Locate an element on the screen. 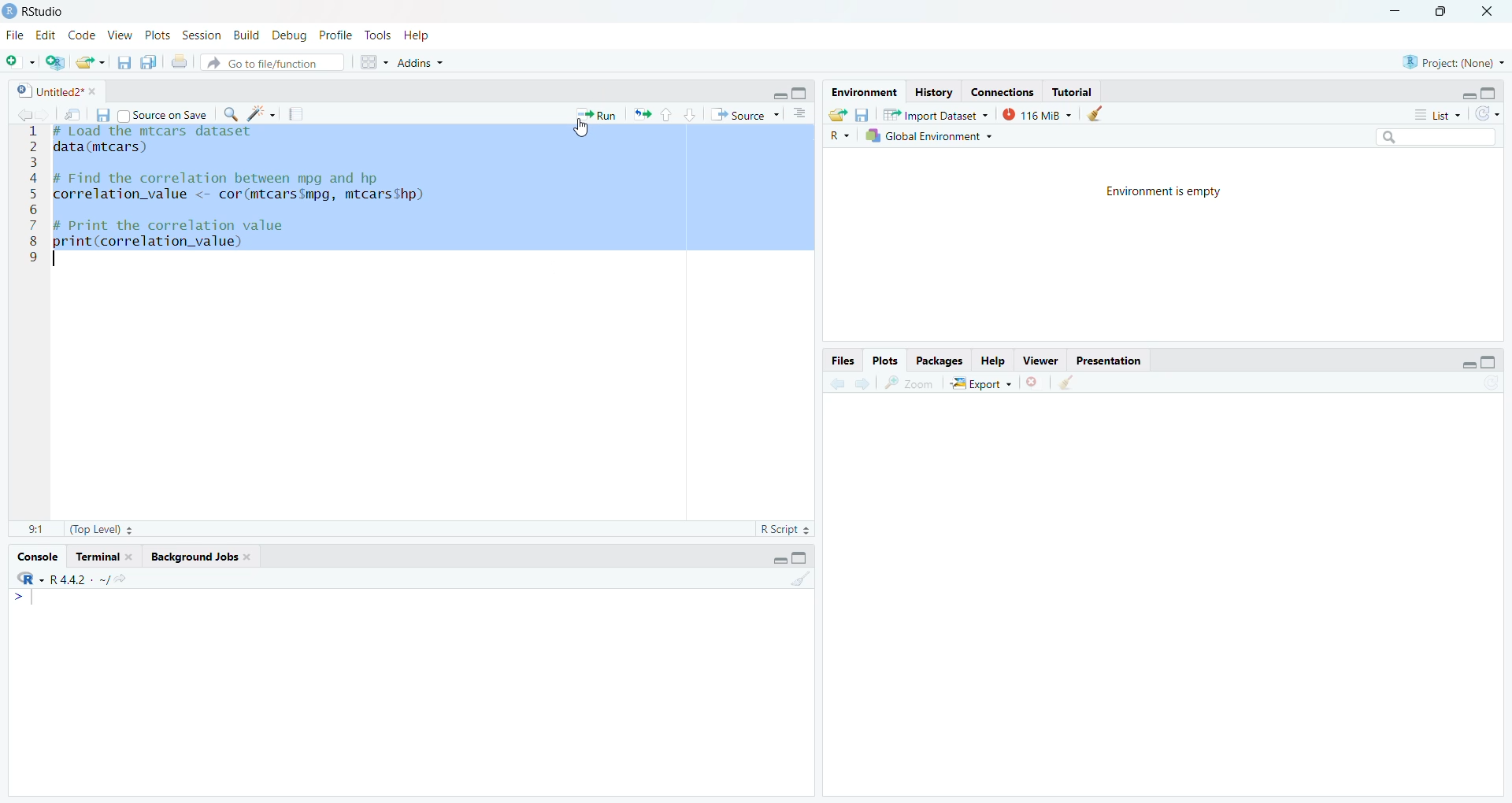 Image resolution: width=1512 pixels, height=803 pixels. Go back to the previous source location (Ctrl + F9) is located at coordinates (21, 113).